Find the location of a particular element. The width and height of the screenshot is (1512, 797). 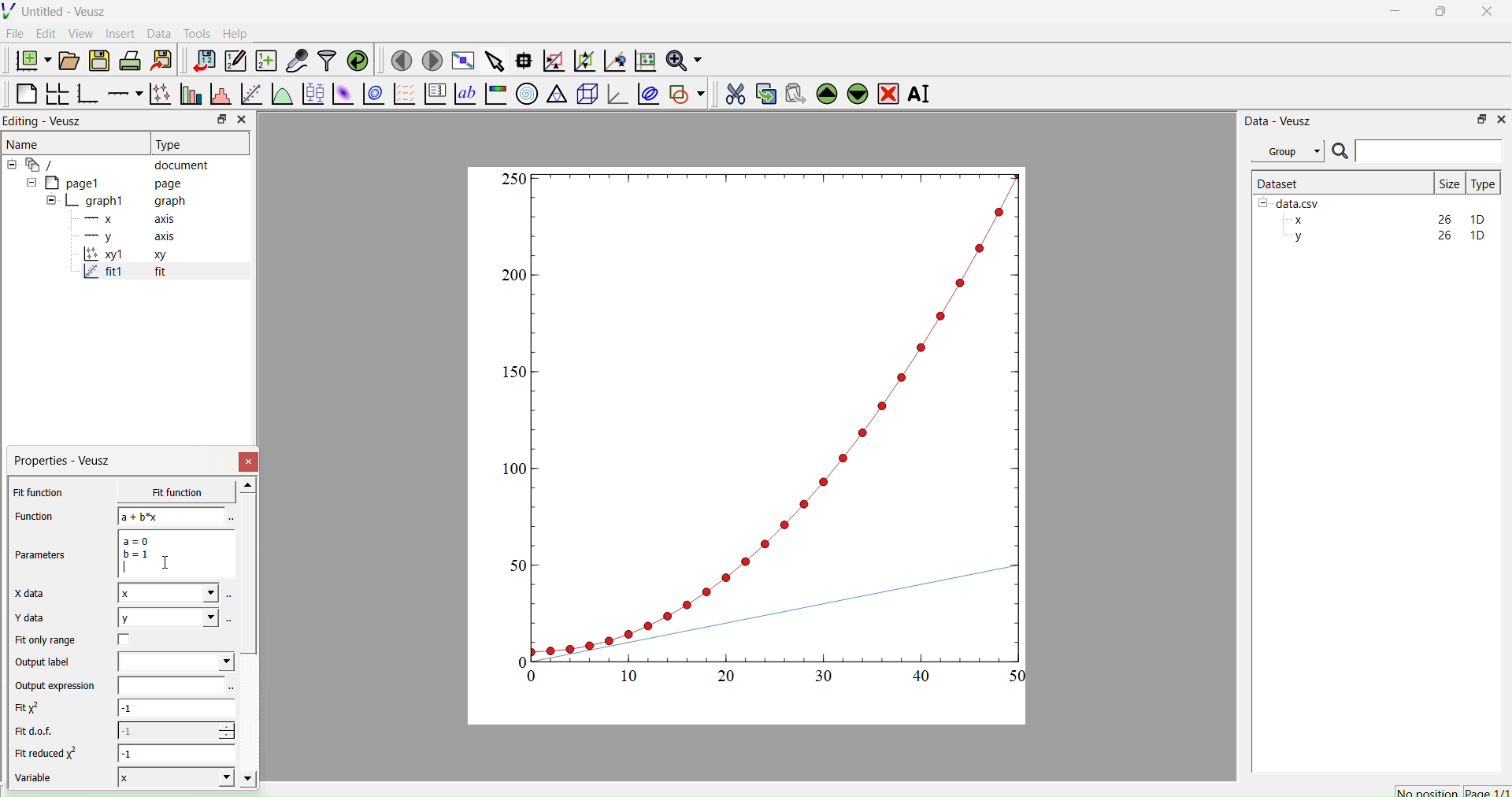

Dataset is located at coordinates (1279, 183).